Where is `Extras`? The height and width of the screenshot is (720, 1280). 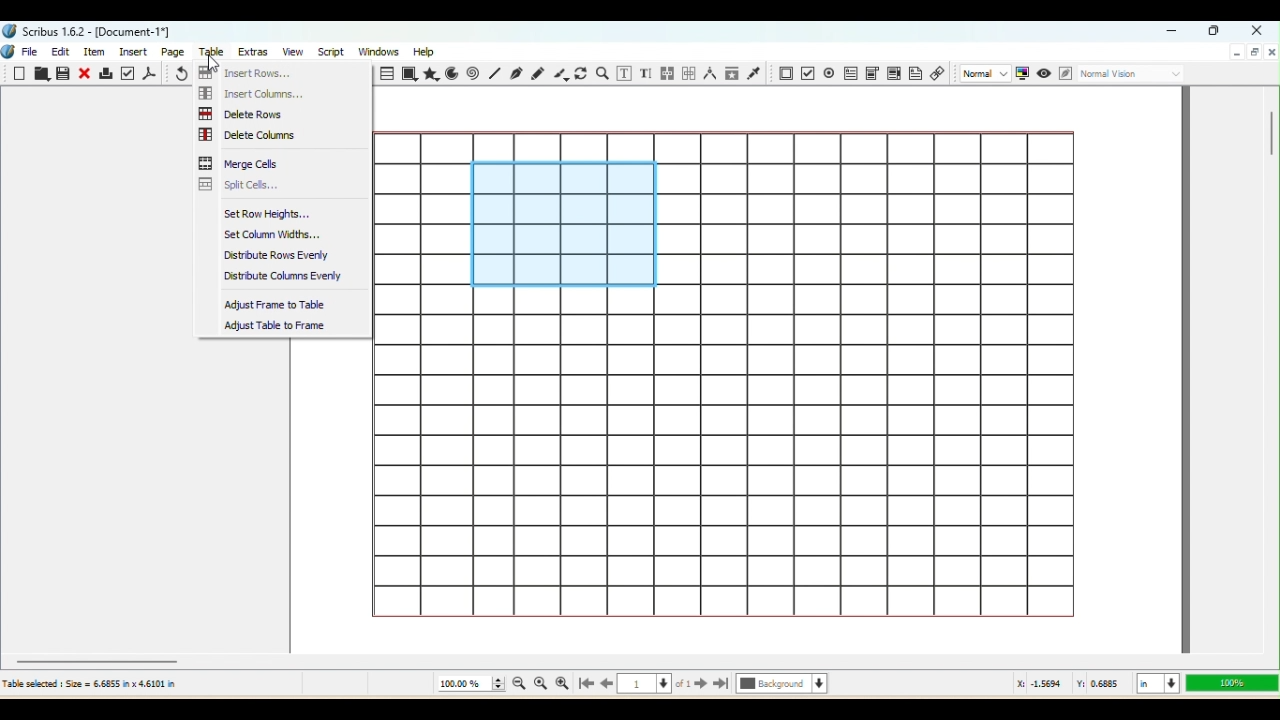 Extras is located at coordinates (255, 51).